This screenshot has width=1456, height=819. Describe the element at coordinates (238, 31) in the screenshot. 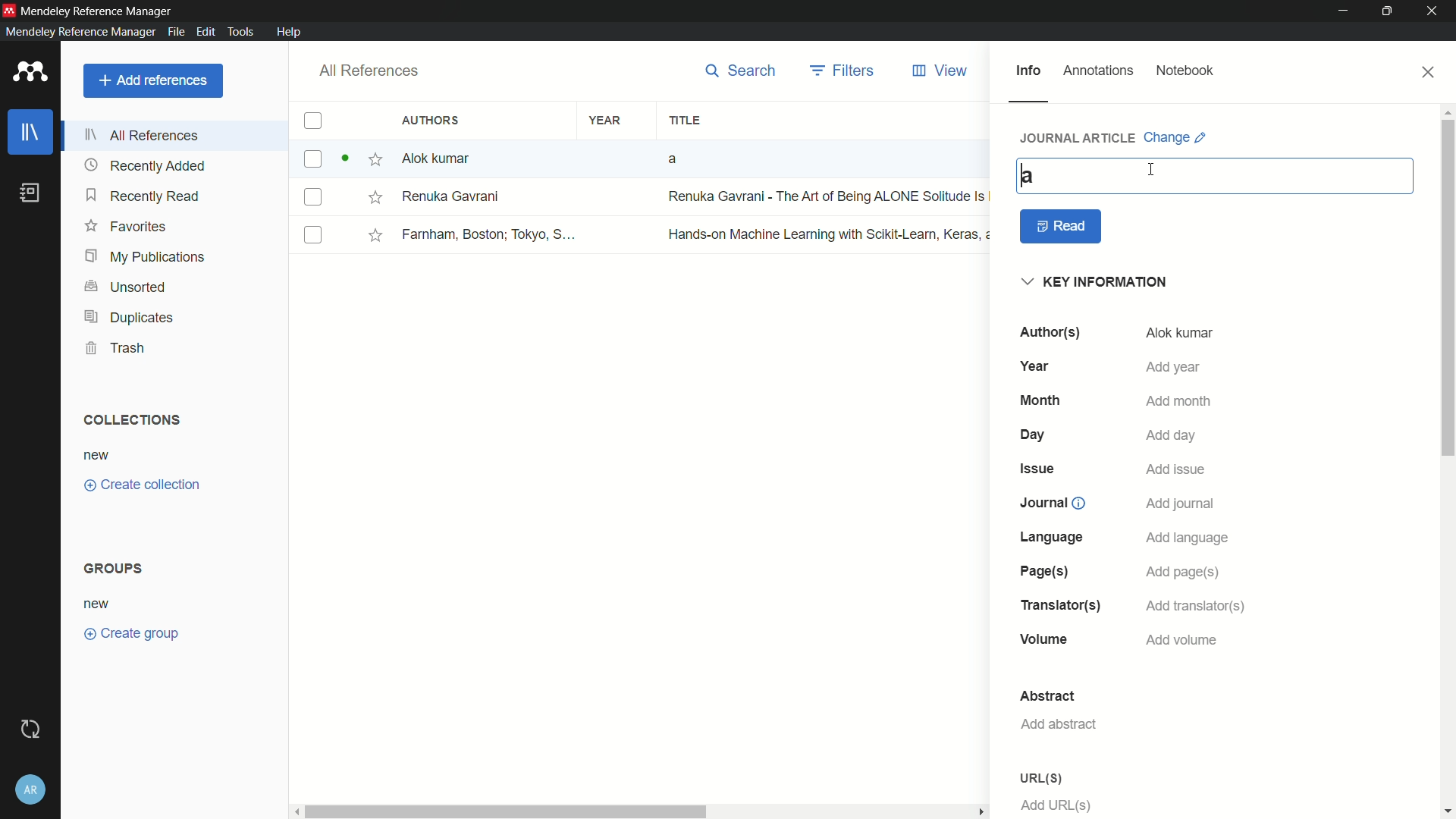

I see `tools menu` at that location.